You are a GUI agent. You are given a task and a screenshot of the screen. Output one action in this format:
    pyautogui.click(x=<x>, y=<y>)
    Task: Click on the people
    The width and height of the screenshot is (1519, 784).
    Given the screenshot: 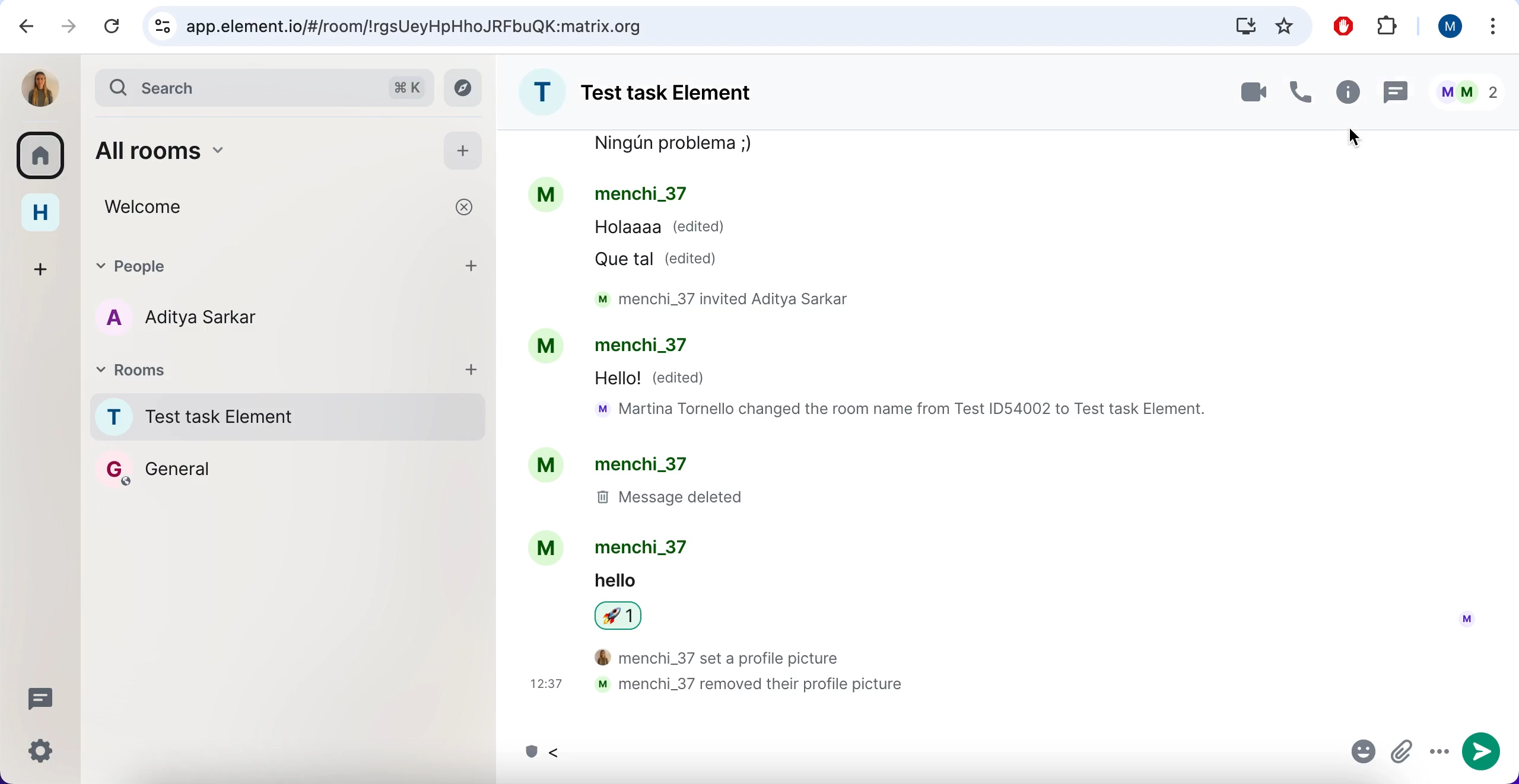 What is the action you would take?
    pyautogui.click(x=258, y=266)
    